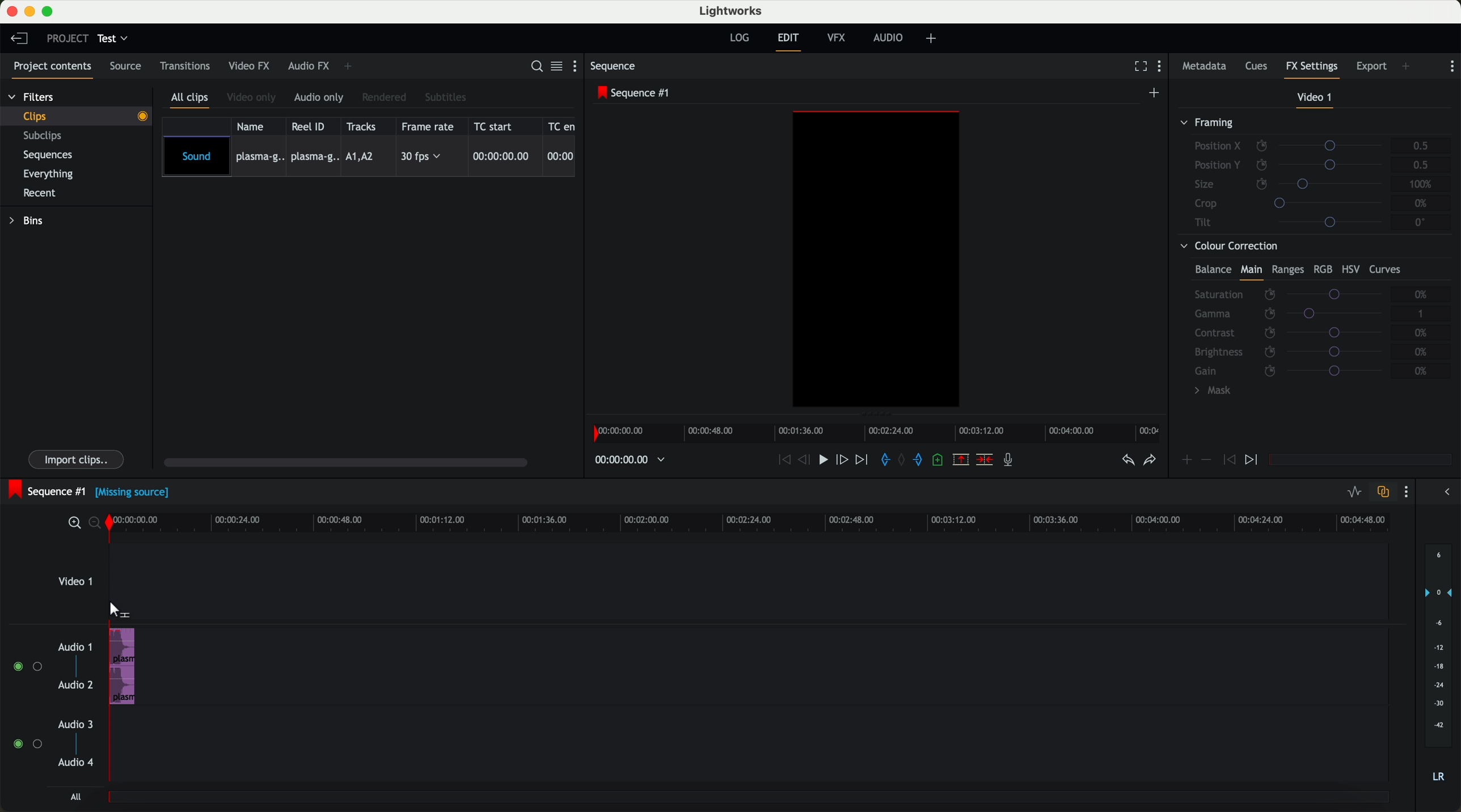 This screenshot has width=1461, height=812. What do you see at coordinates (31, 99) in the screenshot?
I see `Filters tab` at bounding box center [31, 99].